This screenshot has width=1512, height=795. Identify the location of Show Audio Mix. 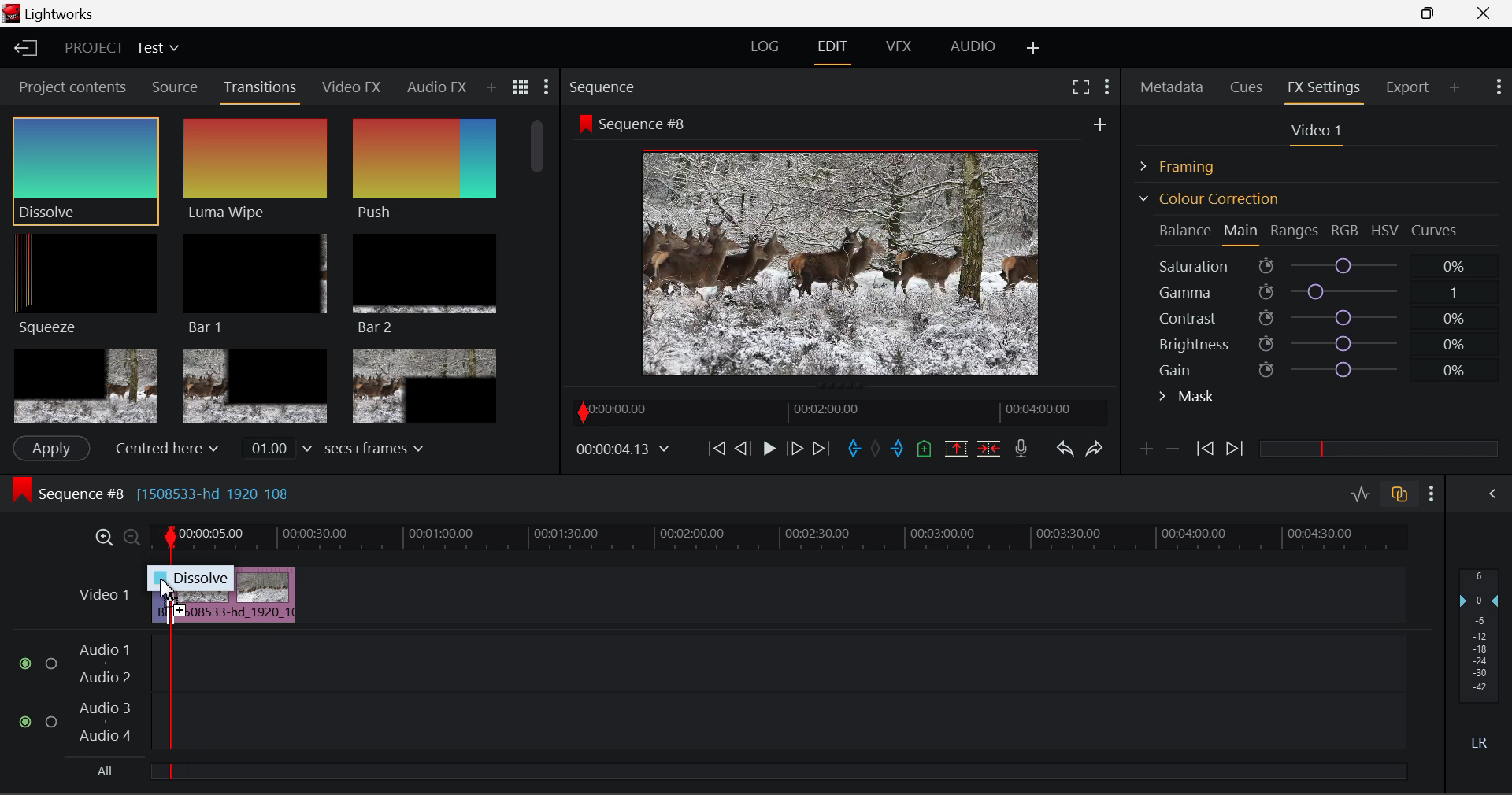
(1494, 492).